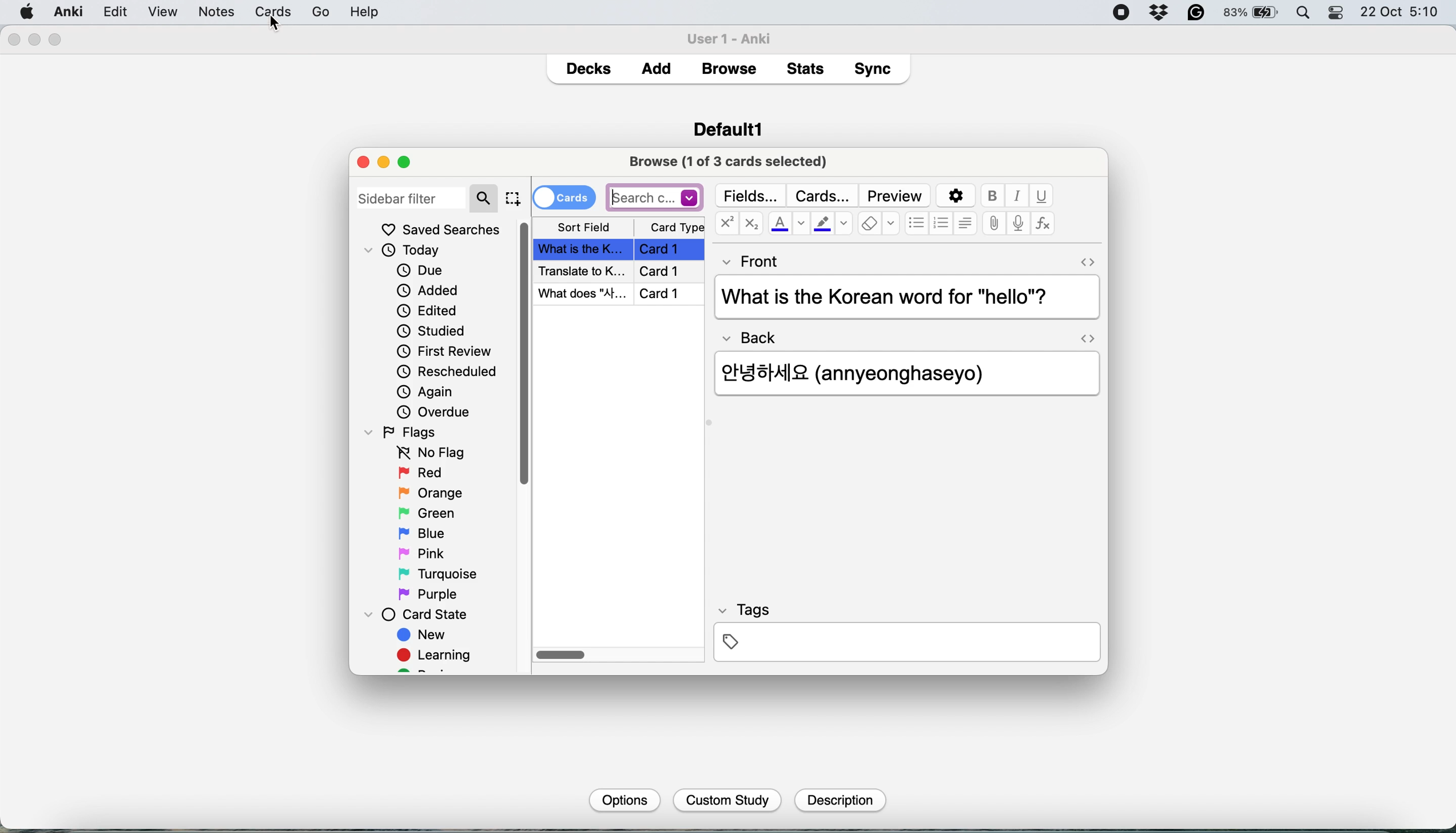  I want to click on orange, so click(430, 493).